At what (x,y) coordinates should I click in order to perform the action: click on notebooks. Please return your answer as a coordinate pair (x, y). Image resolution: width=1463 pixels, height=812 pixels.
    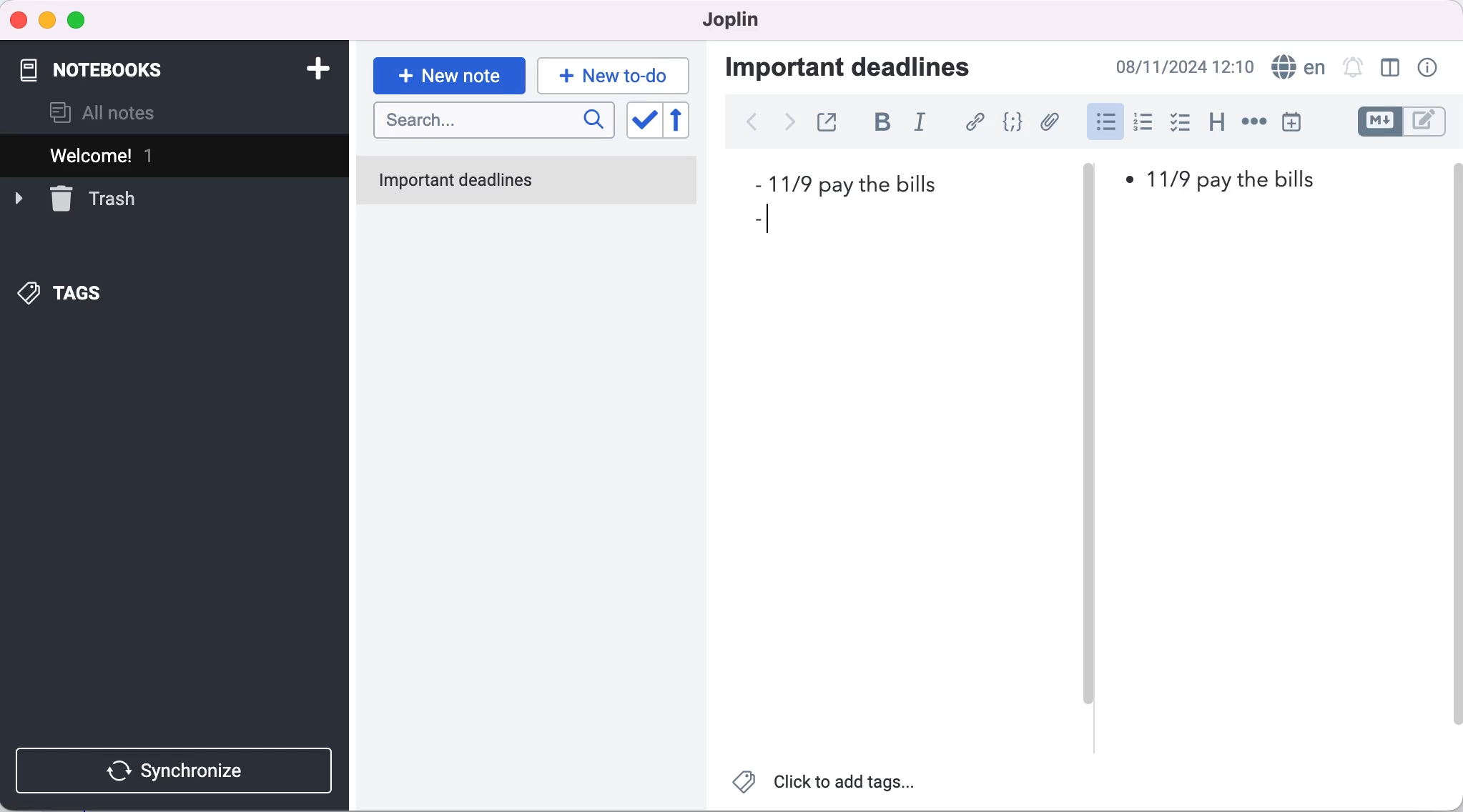
    Looking at the image, I should click on (112, 66).